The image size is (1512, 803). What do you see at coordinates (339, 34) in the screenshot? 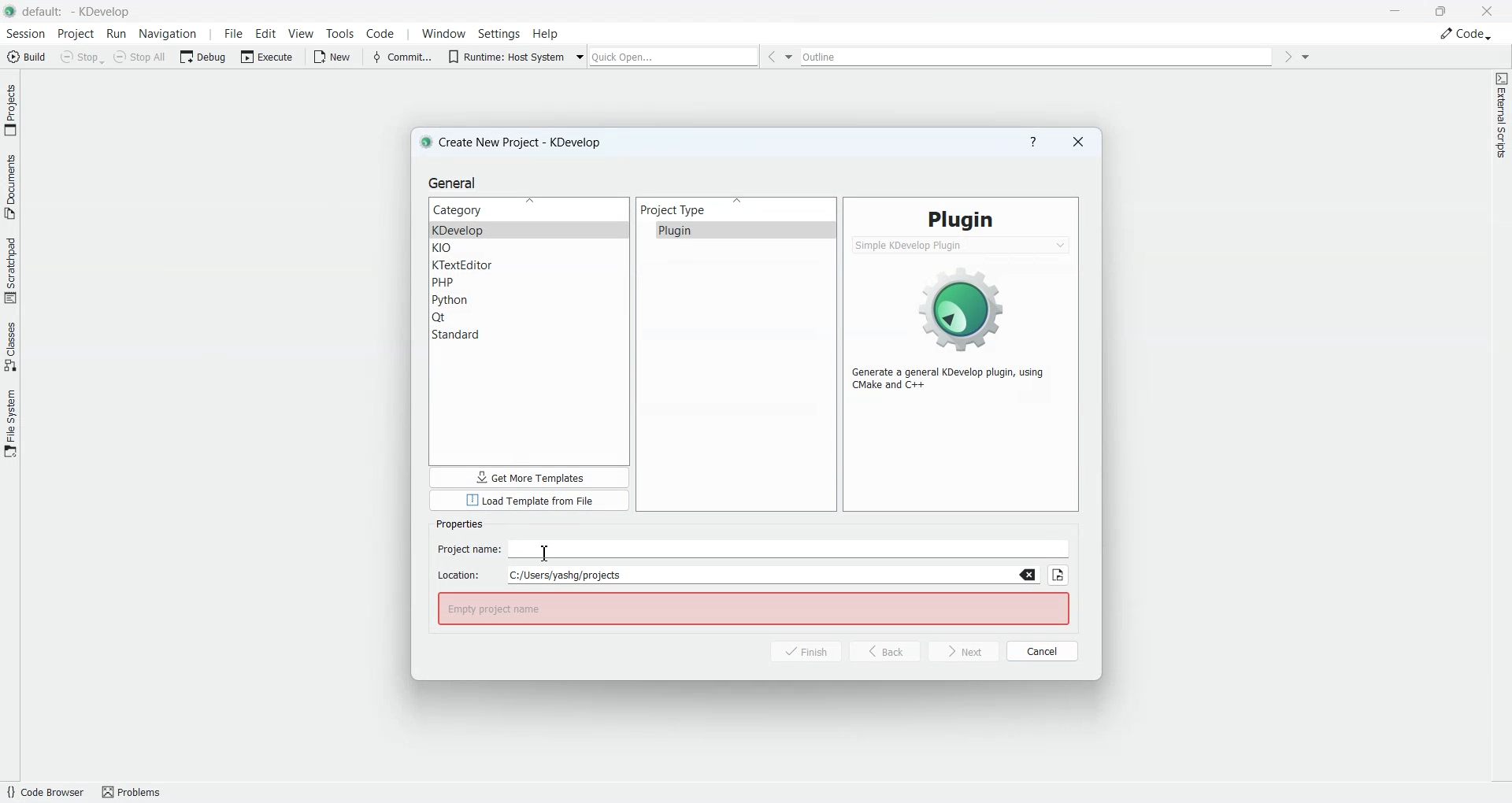
I see `Tools` at bounding box center [339, 34].